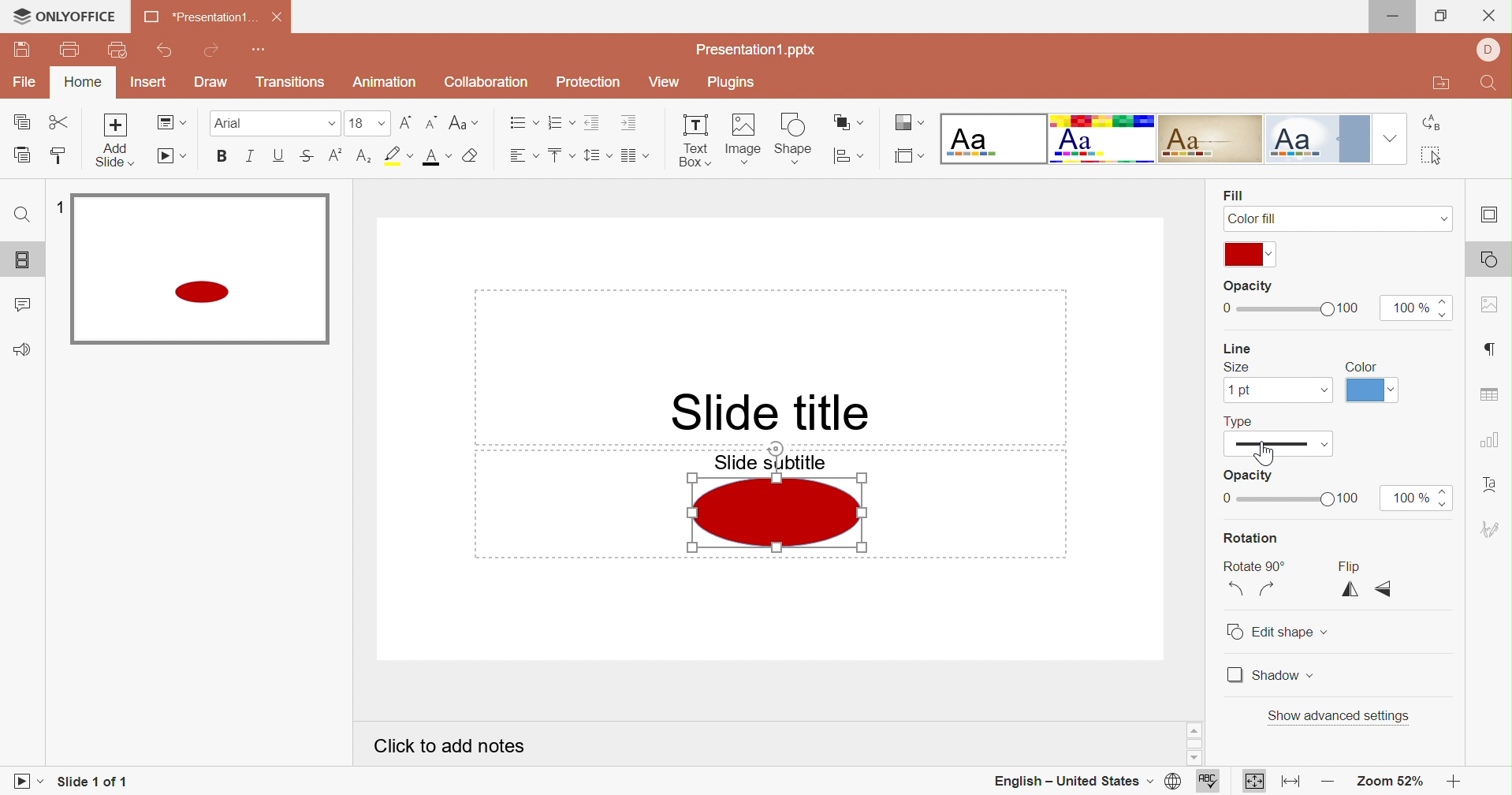 Image resolution: width=1512 pixels, height=795 pixels. I want to click on Image, so click(744, 140).